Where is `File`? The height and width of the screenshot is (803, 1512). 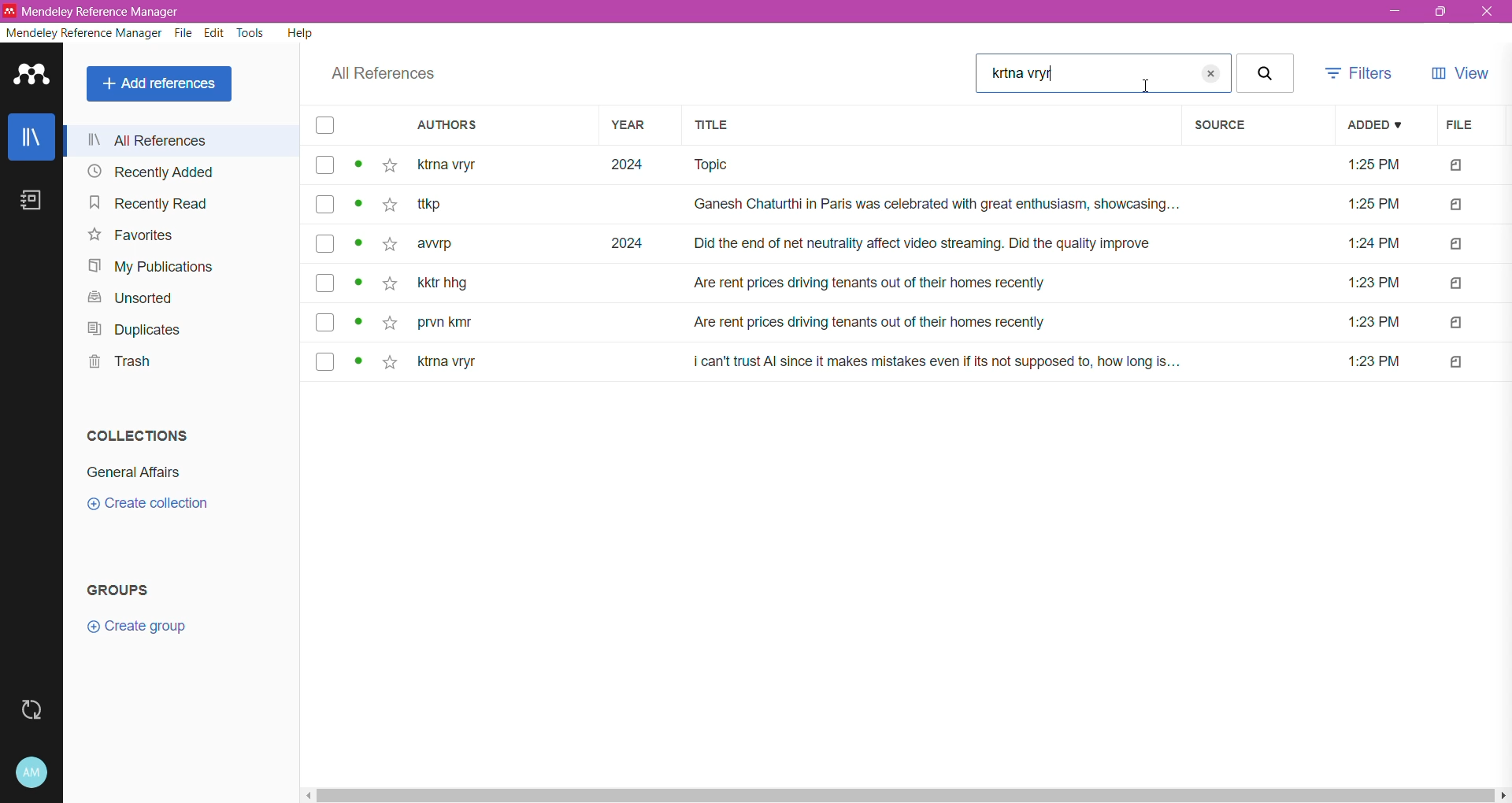 File is located at coordinates (1463, 126).